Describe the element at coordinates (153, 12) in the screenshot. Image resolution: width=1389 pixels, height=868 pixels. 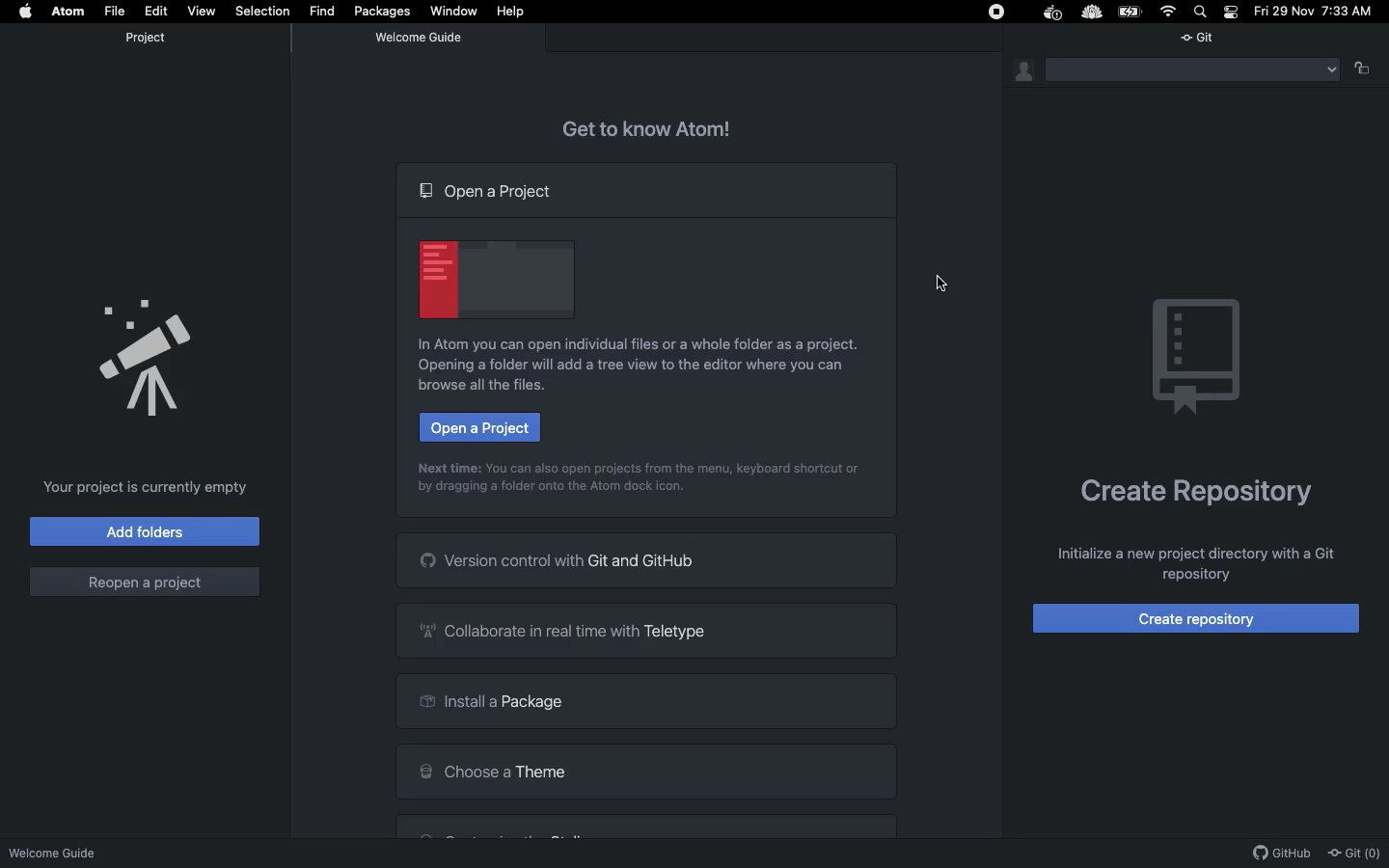
I see `Edit` at that location.